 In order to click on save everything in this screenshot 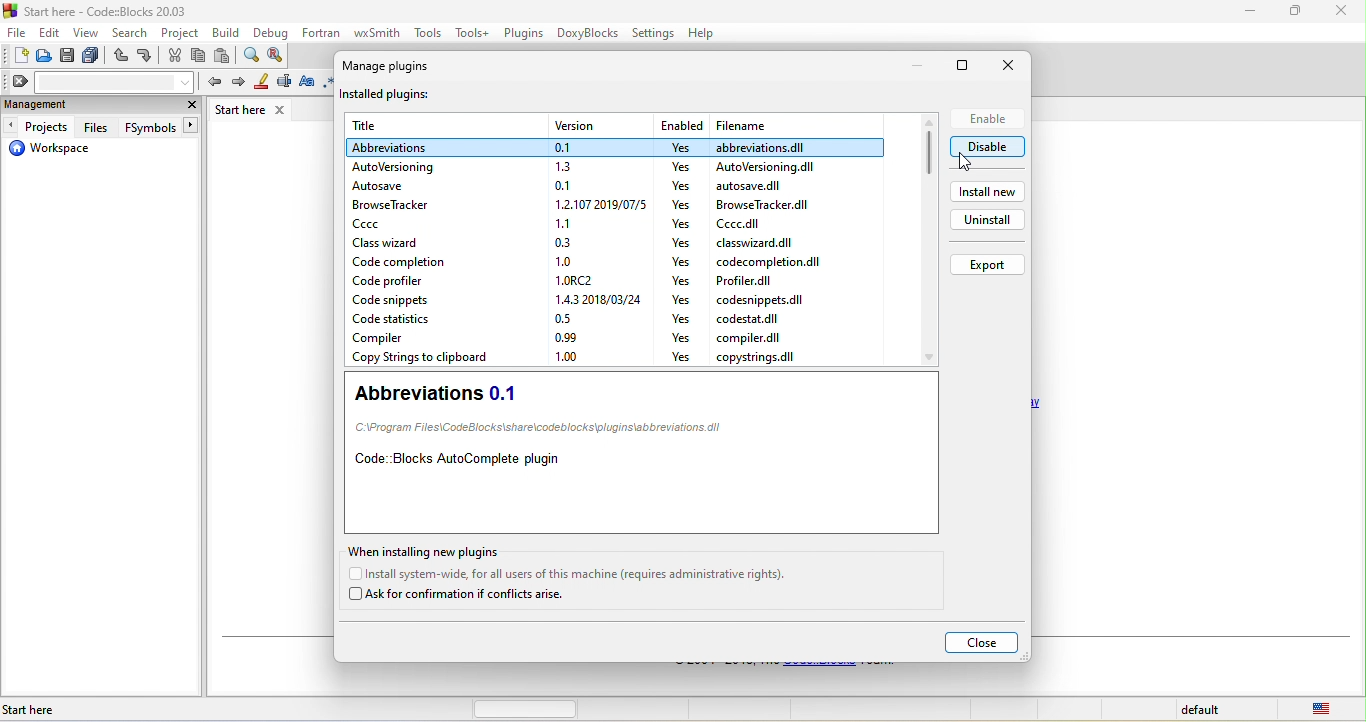, I will do `click(93, 57)`.